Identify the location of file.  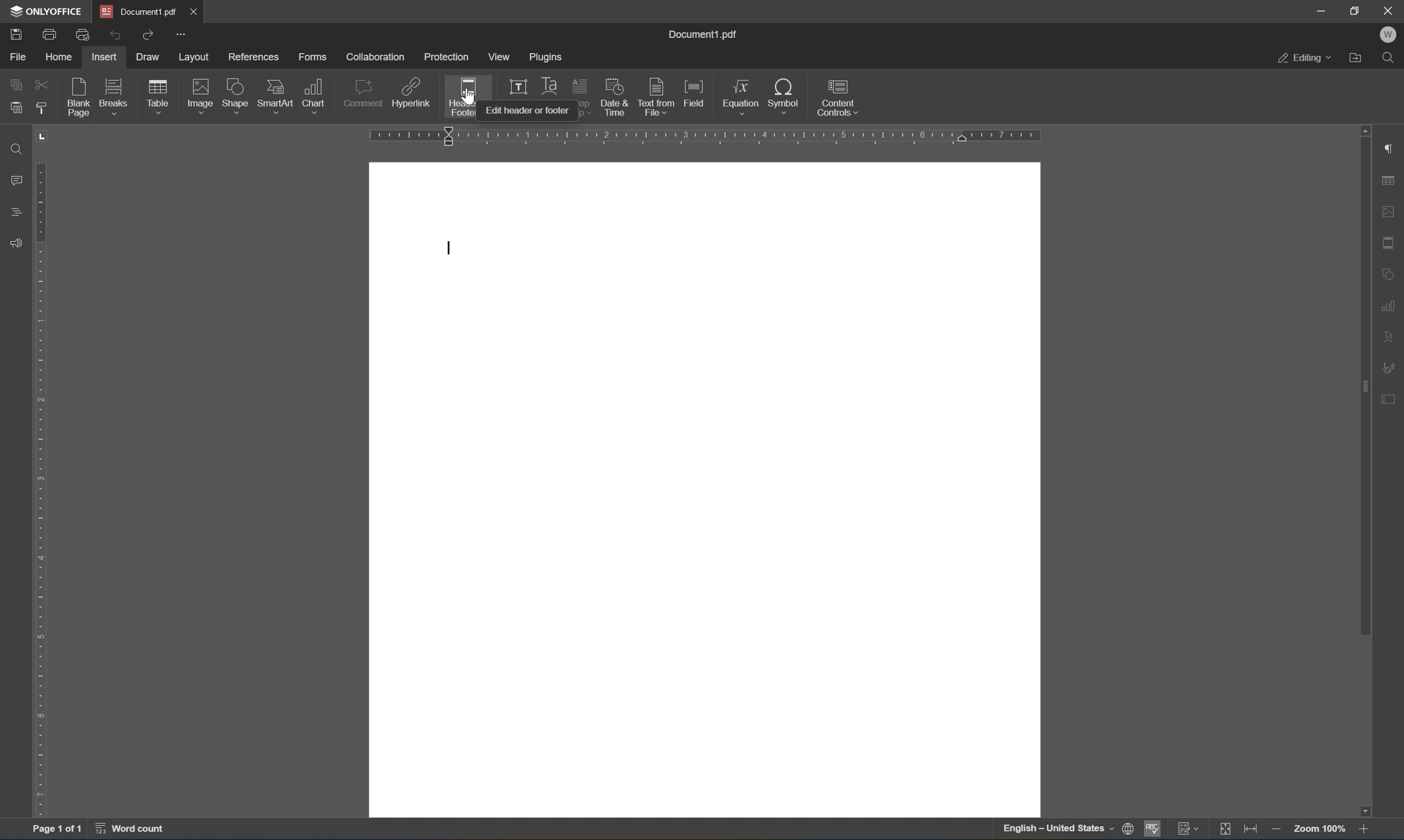
(14, 57).